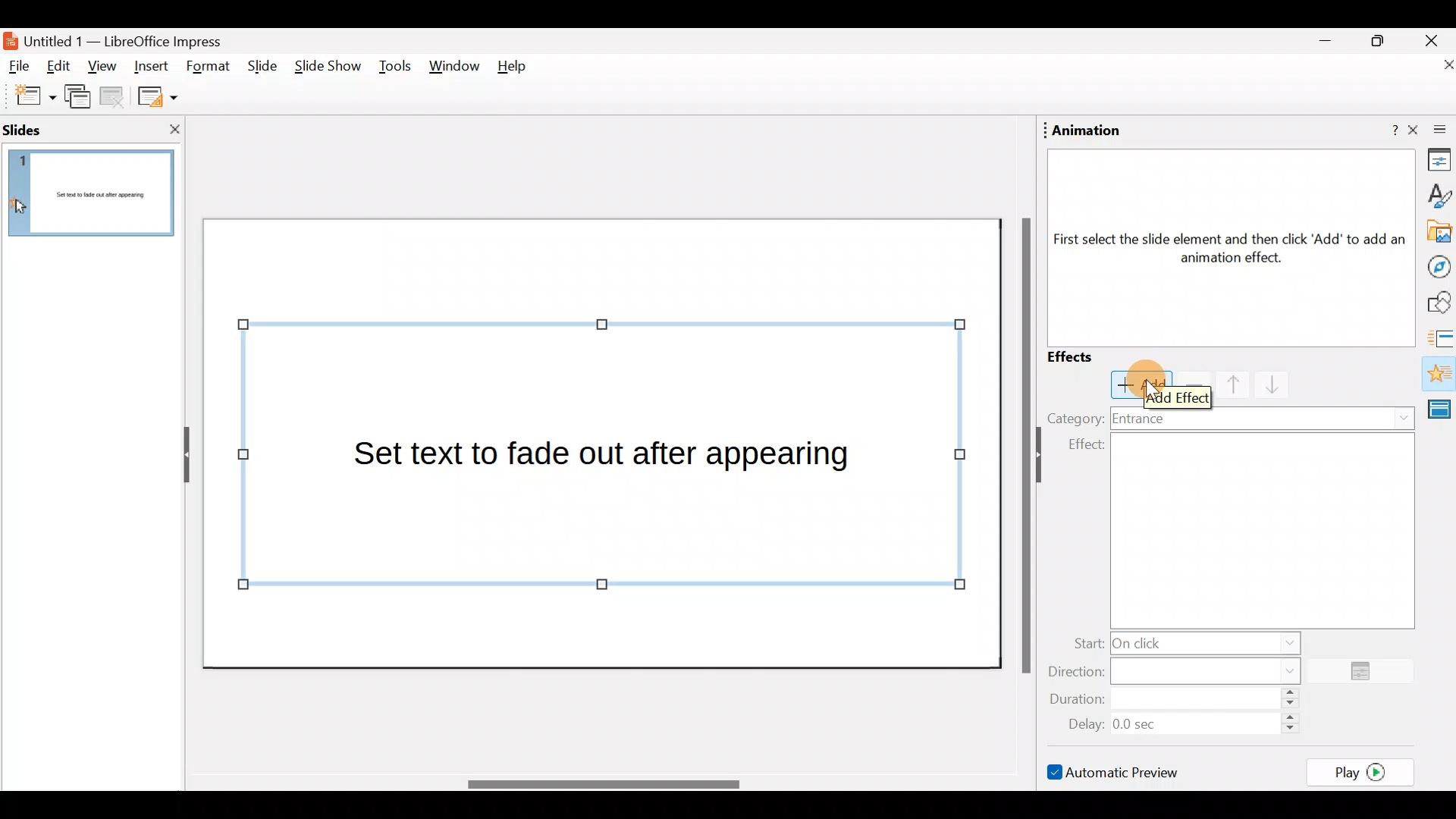 Image resolution: width=1456 pixels, height=819 pixels. I want to click on View, so click(102, 71).